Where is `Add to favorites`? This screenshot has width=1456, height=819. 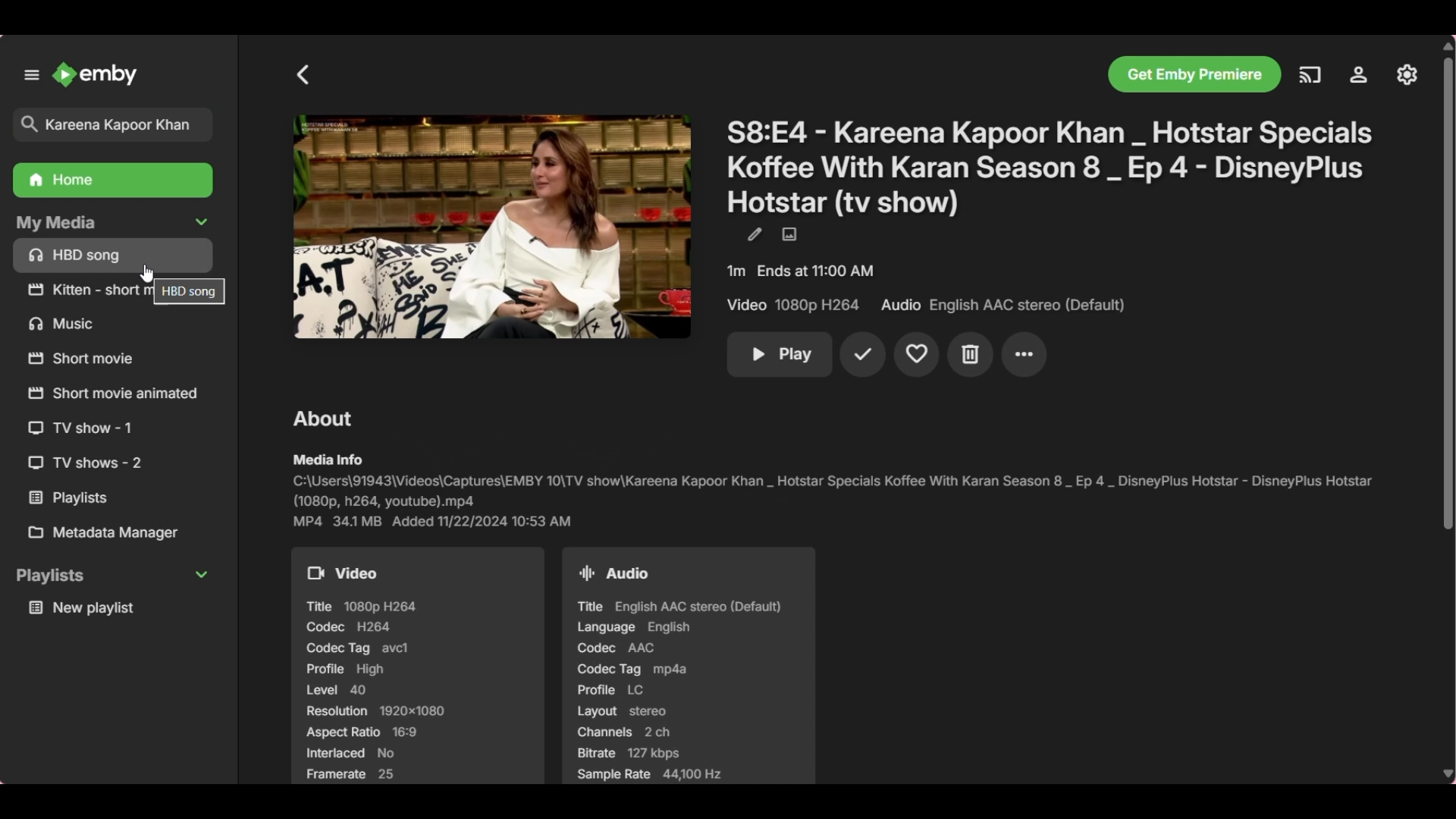 Add to favorites is located at coordinates (916, 354).